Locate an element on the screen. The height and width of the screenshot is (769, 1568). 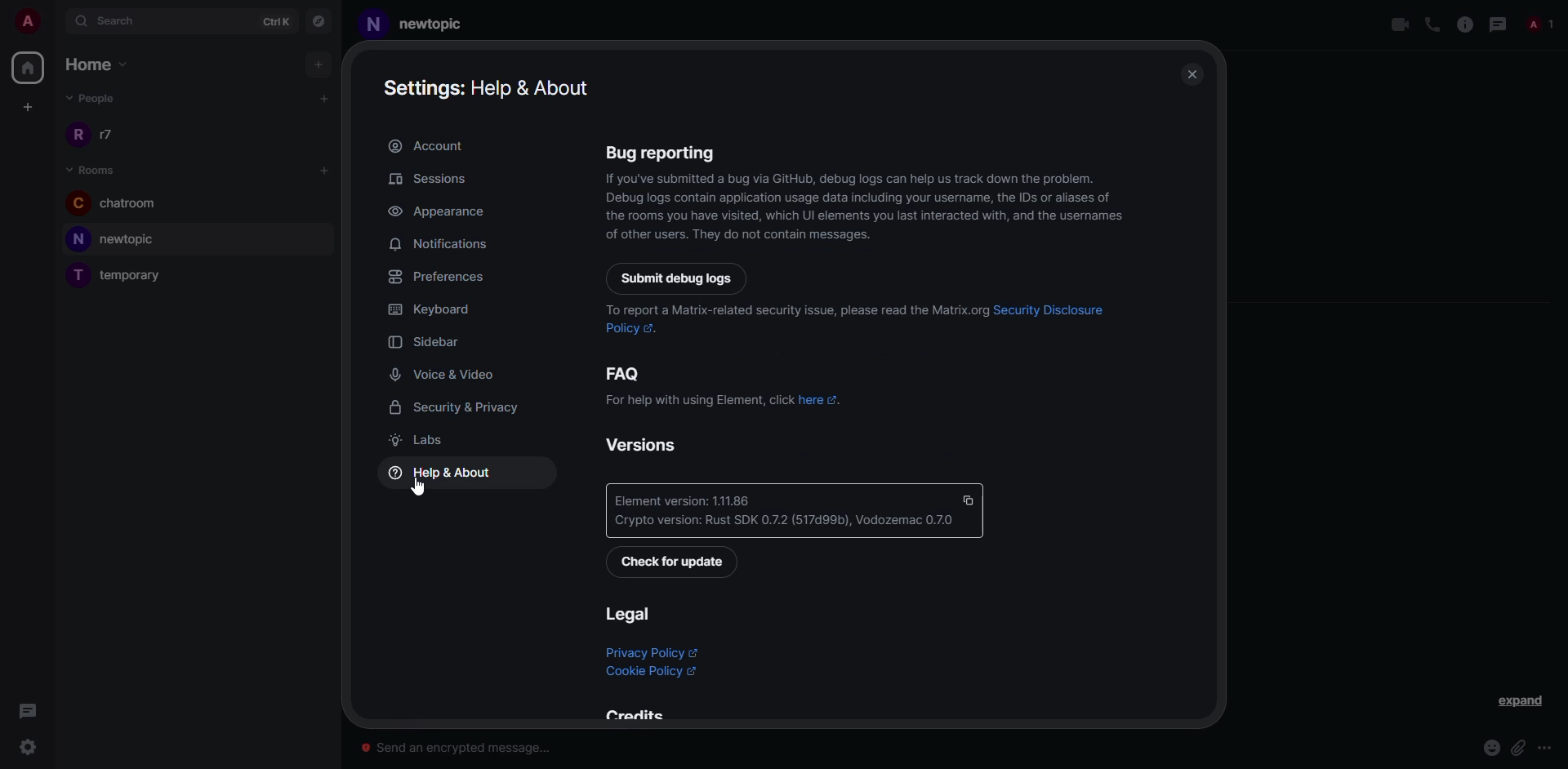
rooms is located at coordinates (104, 171).